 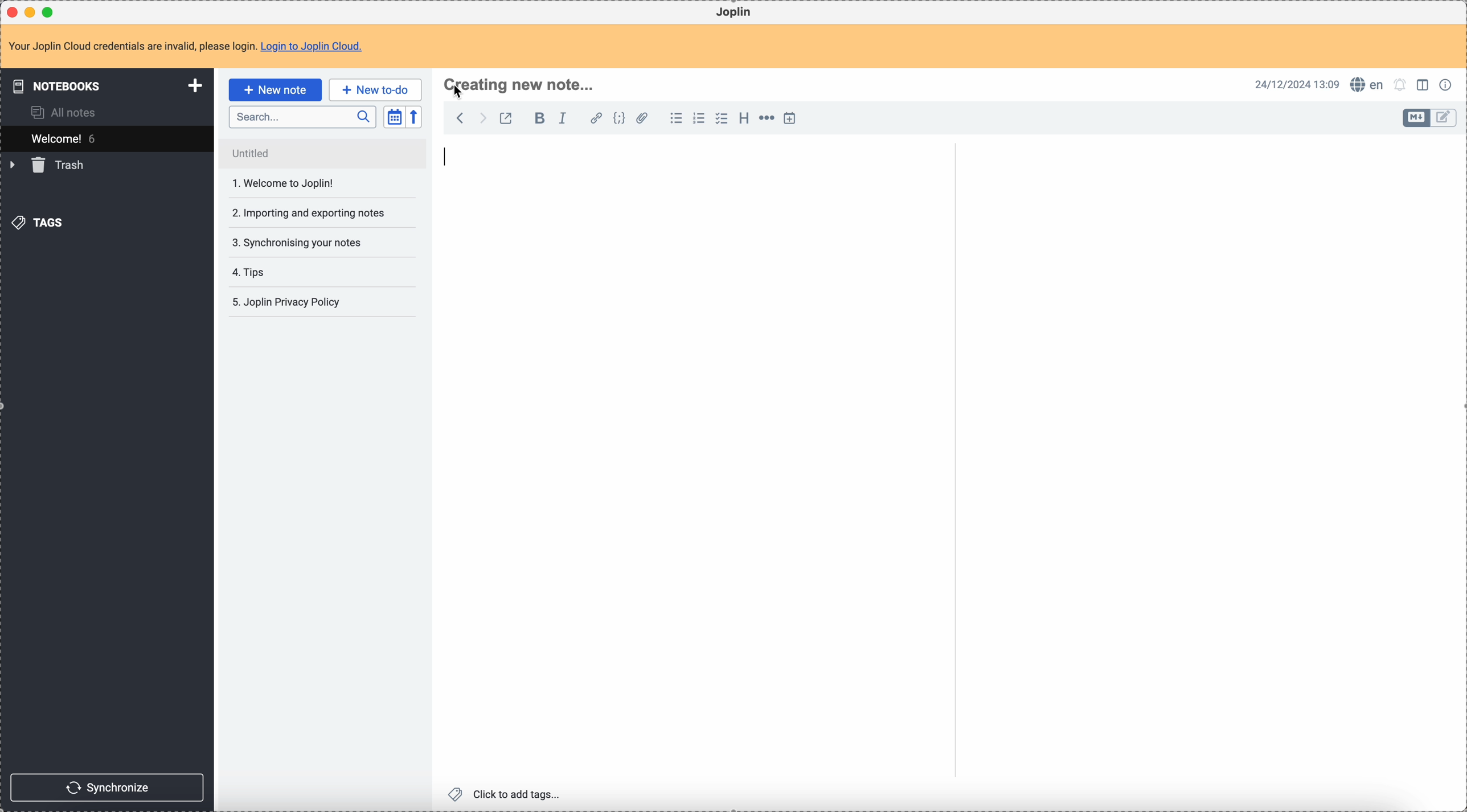 I want to click on code, so click(x=619, y=119).